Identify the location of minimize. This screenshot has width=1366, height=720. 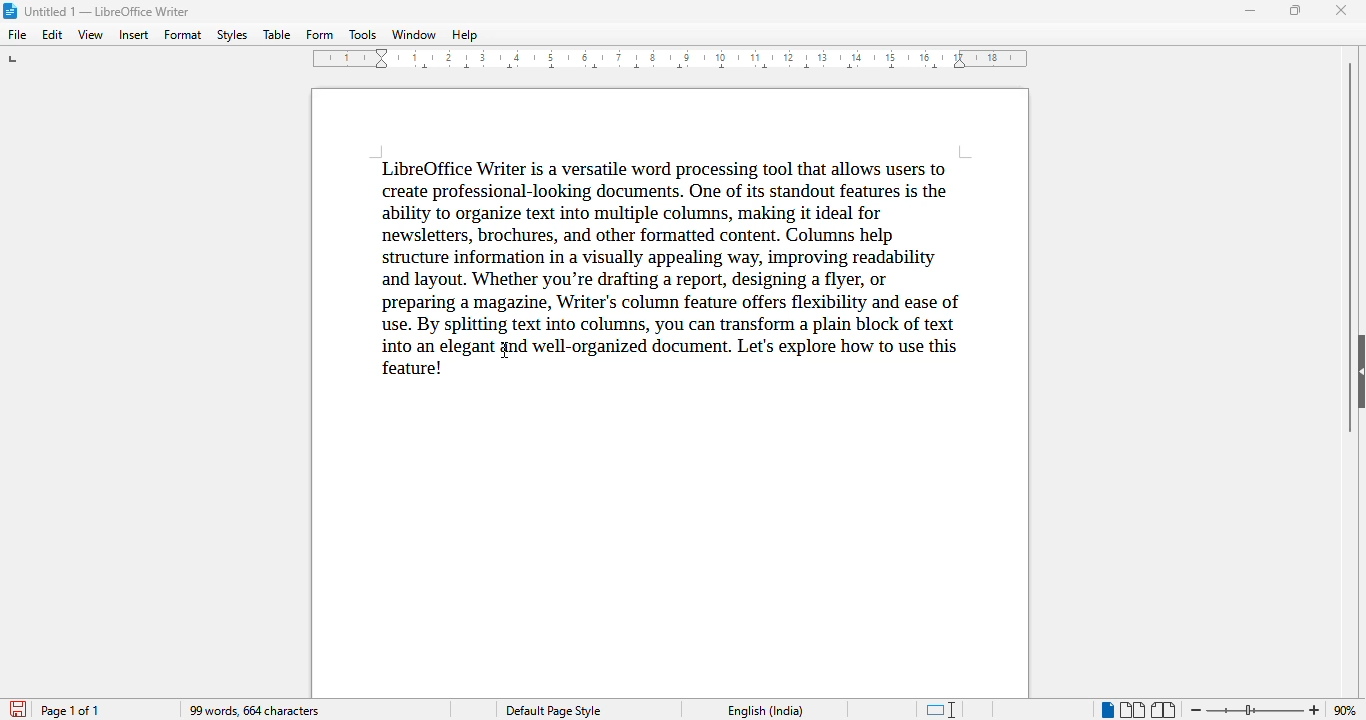
(1252, 11).